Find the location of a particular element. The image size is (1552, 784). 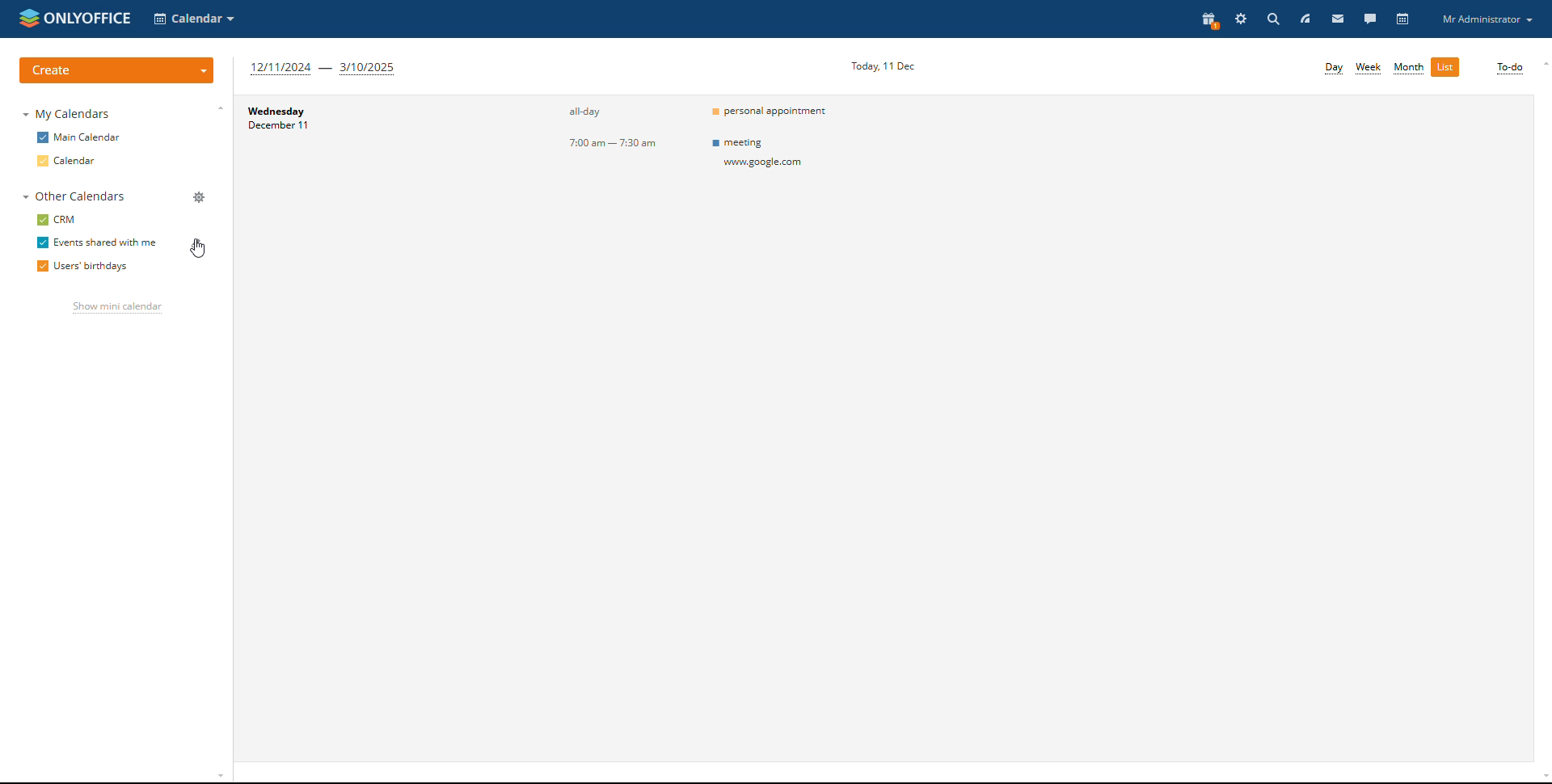

month view is located at coordinates (1407, 68).